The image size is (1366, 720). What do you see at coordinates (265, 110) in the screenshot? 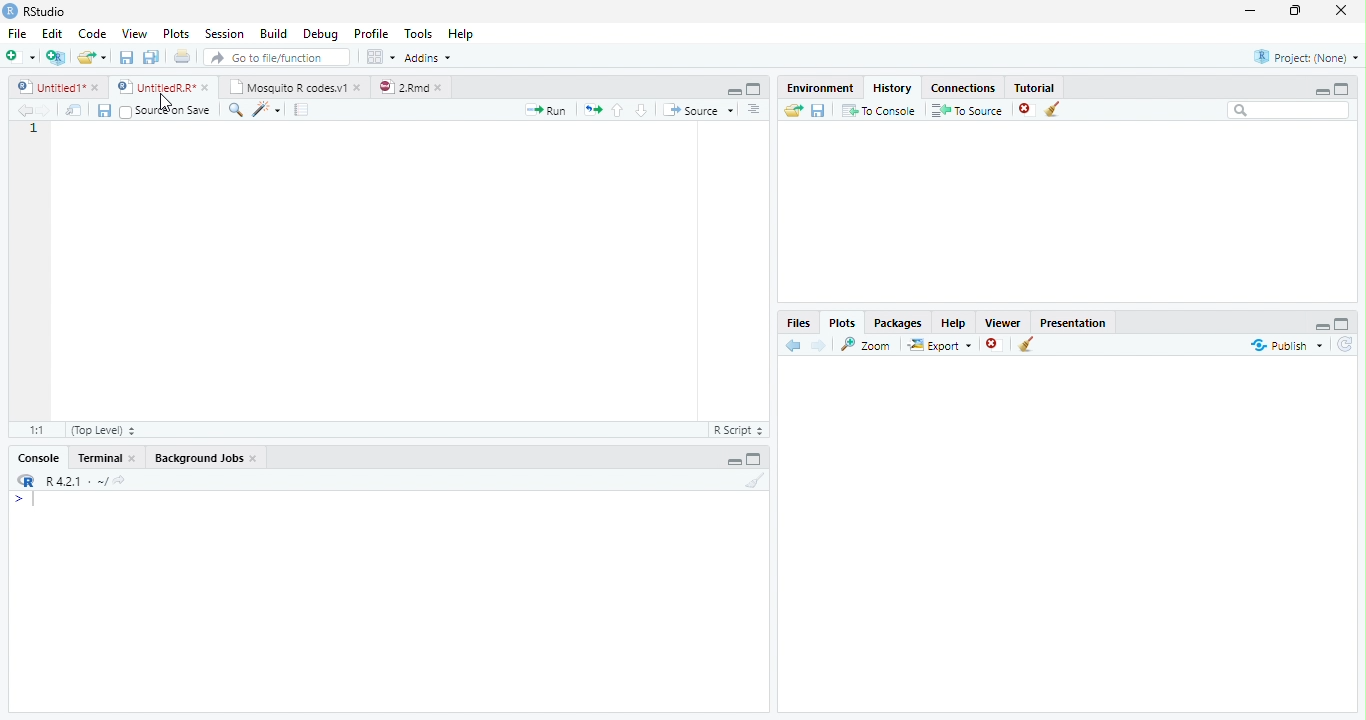
I see `Code Tools` at bounding box center [265, 110].